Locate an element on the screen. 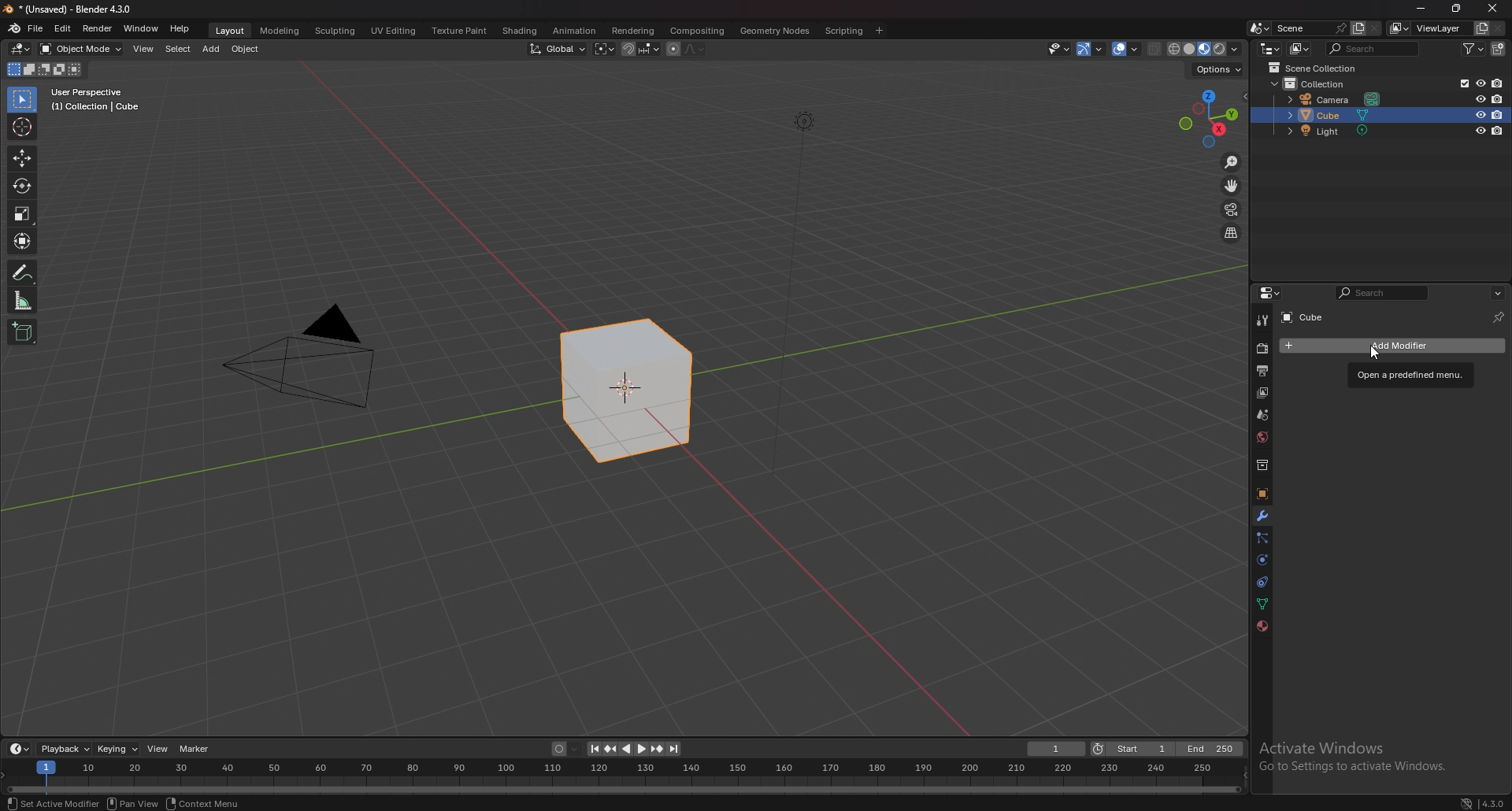 The width and height of the screenshot is (1512, 811). view layer is located at coordinates (1262, 392).